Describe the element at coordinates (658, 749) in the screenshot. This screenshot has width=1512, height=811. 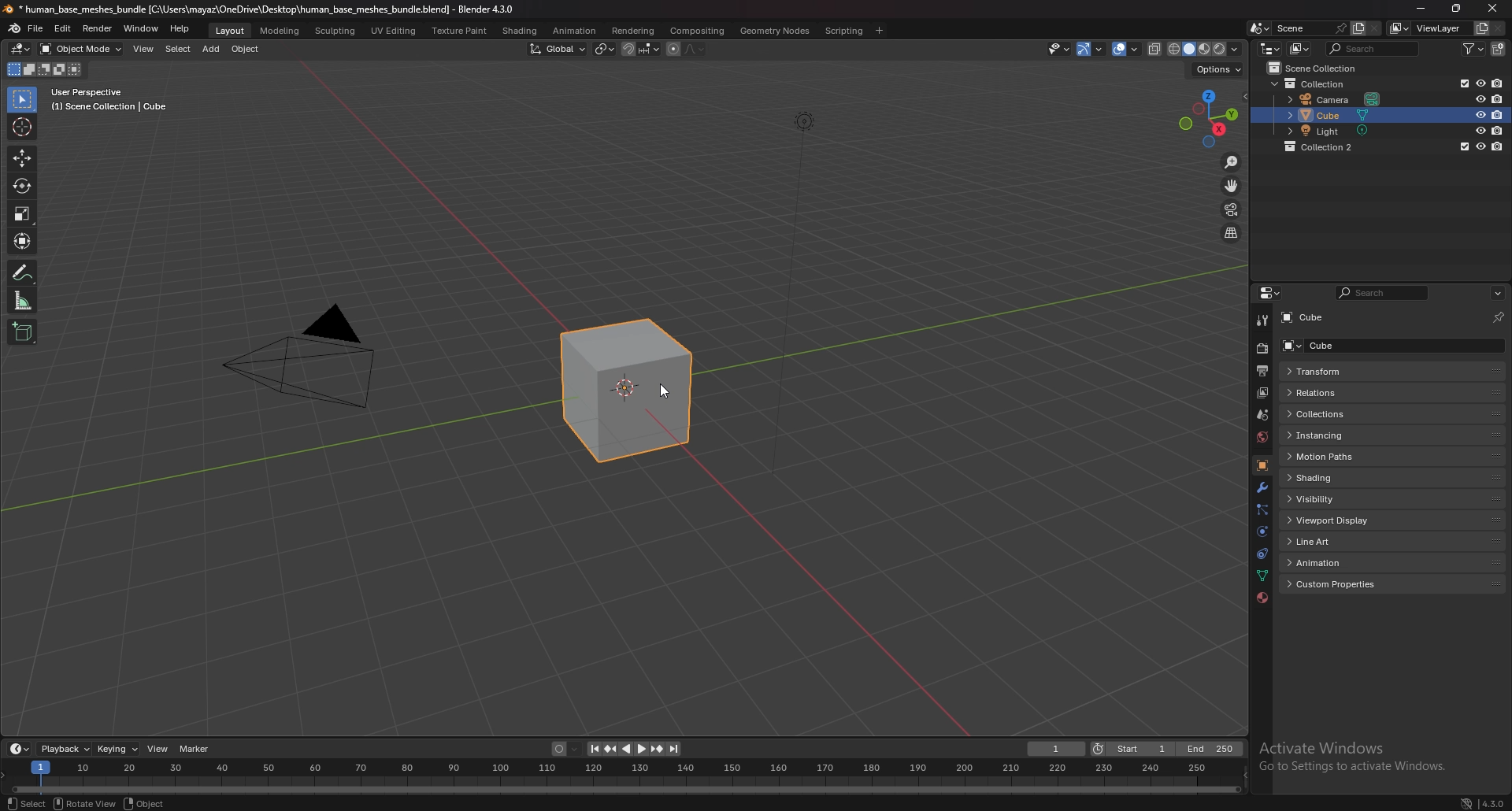
I see `jump to keyframe` at that location.